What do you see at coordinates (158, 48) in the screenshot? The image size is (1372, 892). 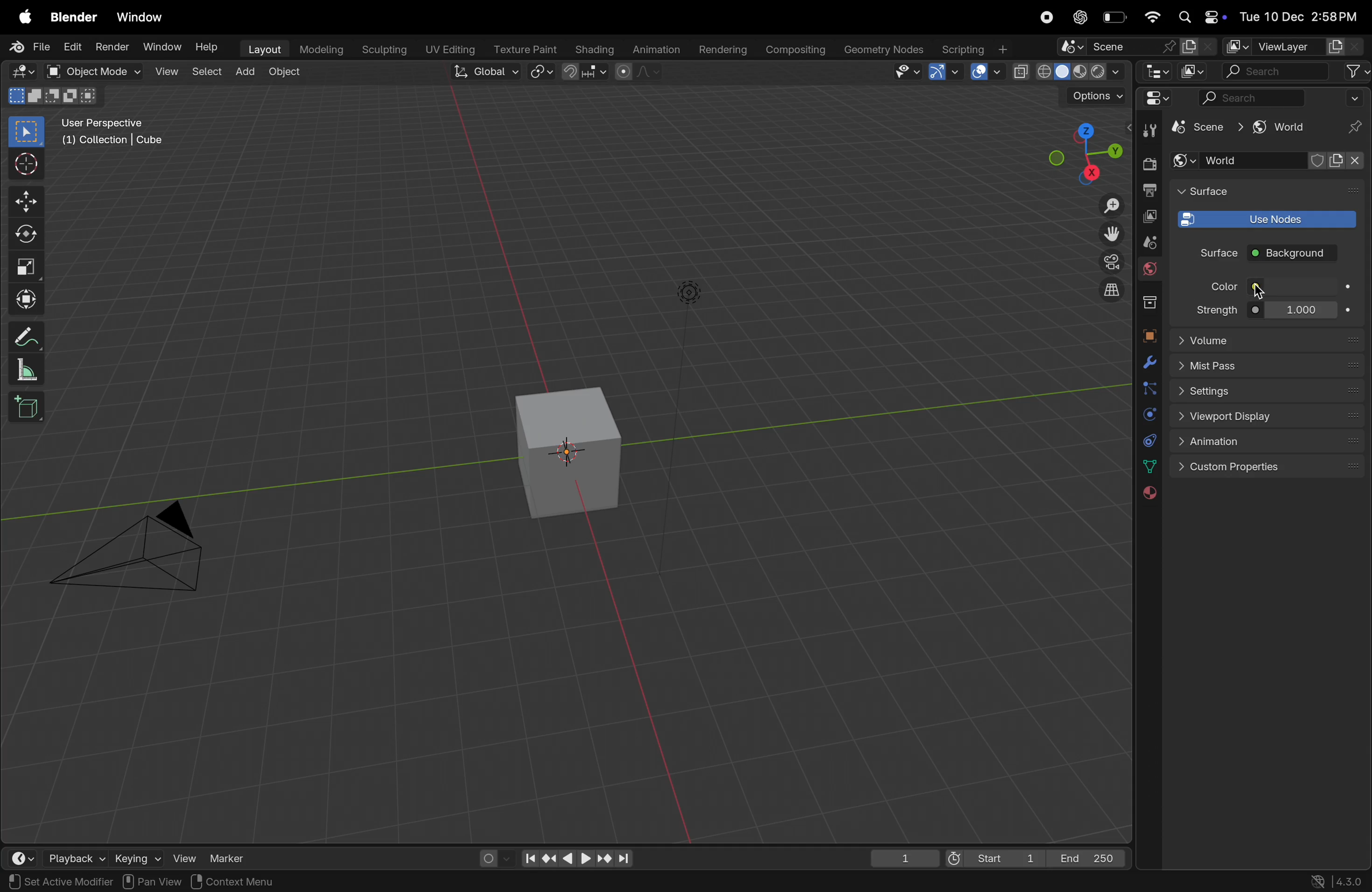 I see `Window` at bounding box center [158, 48].